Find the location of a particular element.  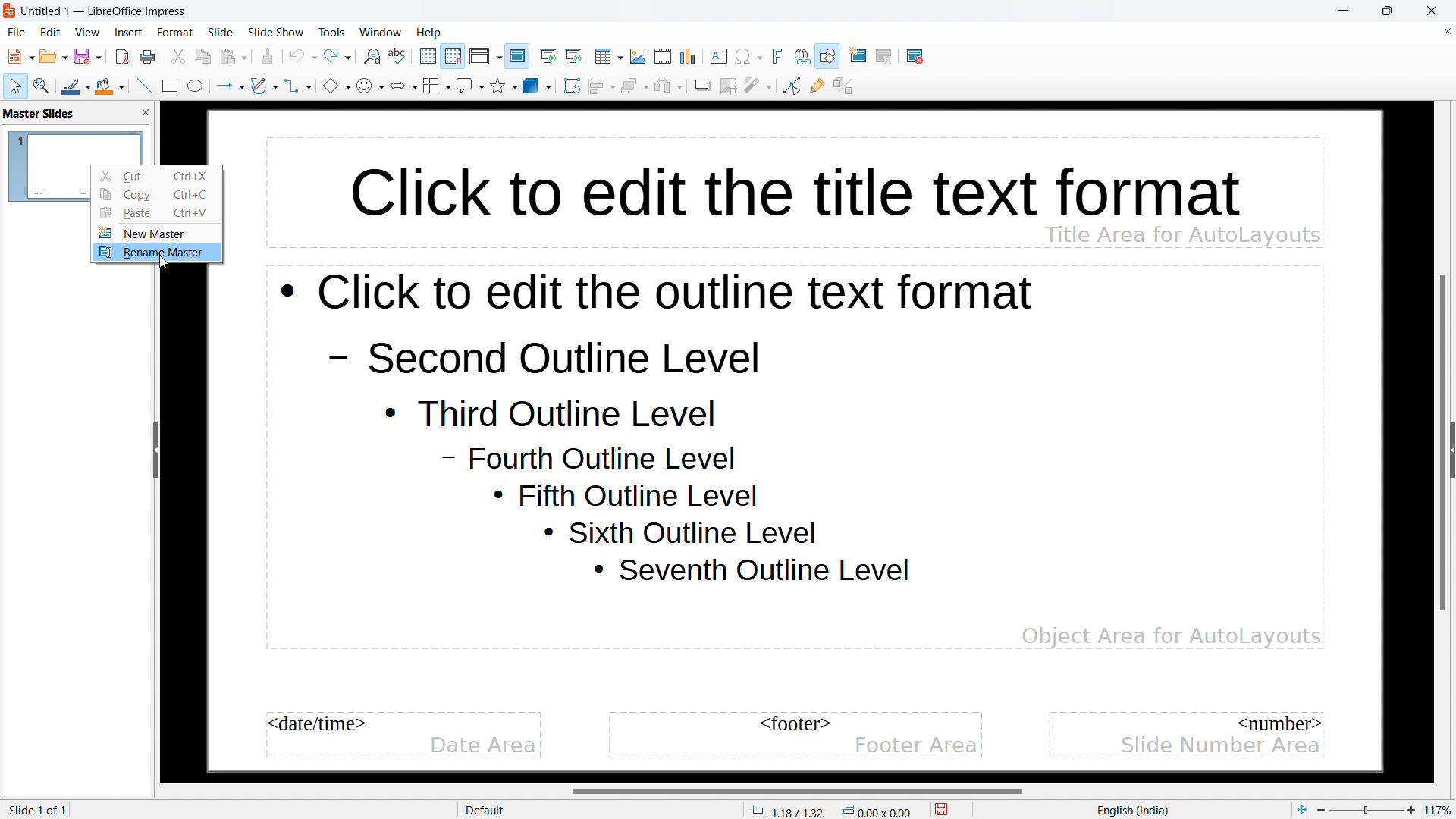

toggle extrusion is located at coordinates (843, 86).